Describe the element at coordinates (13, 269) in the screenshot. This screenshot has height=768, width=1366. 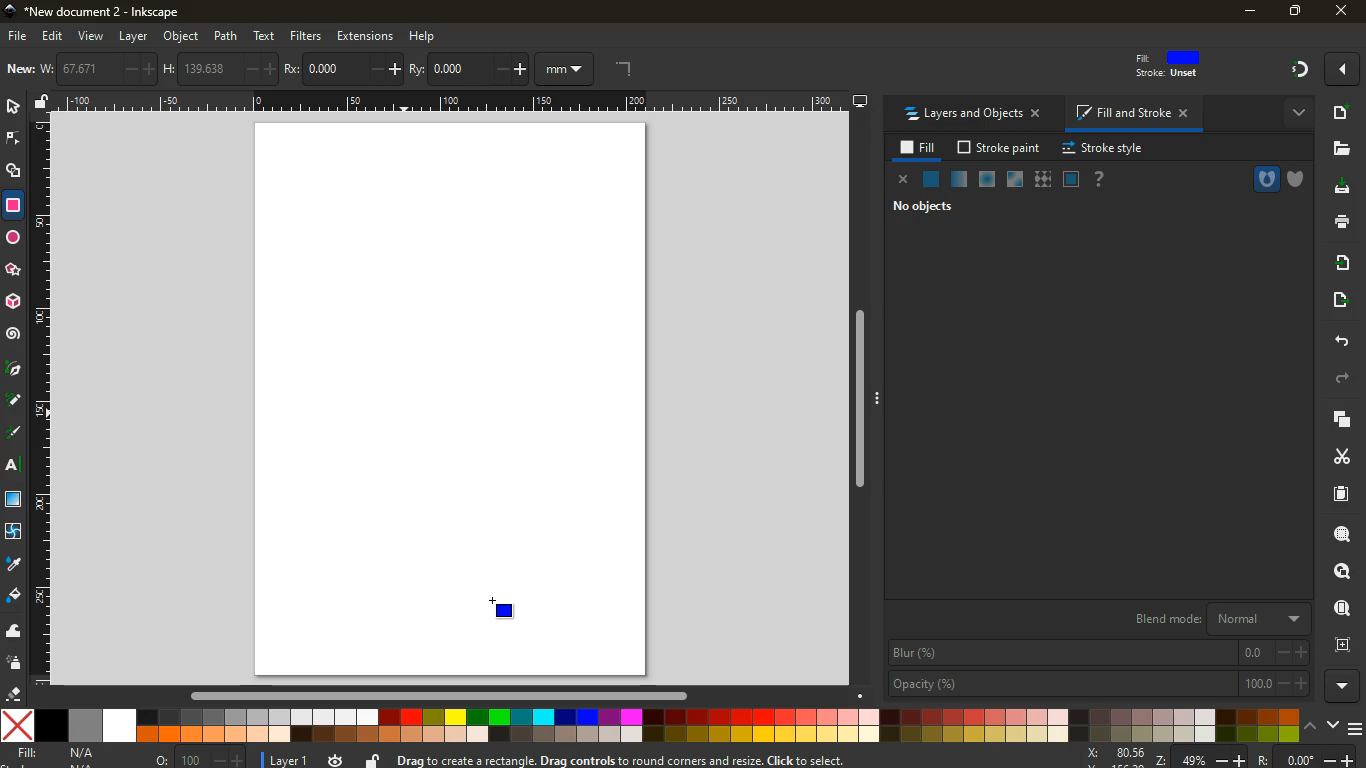
I see `` at that location.